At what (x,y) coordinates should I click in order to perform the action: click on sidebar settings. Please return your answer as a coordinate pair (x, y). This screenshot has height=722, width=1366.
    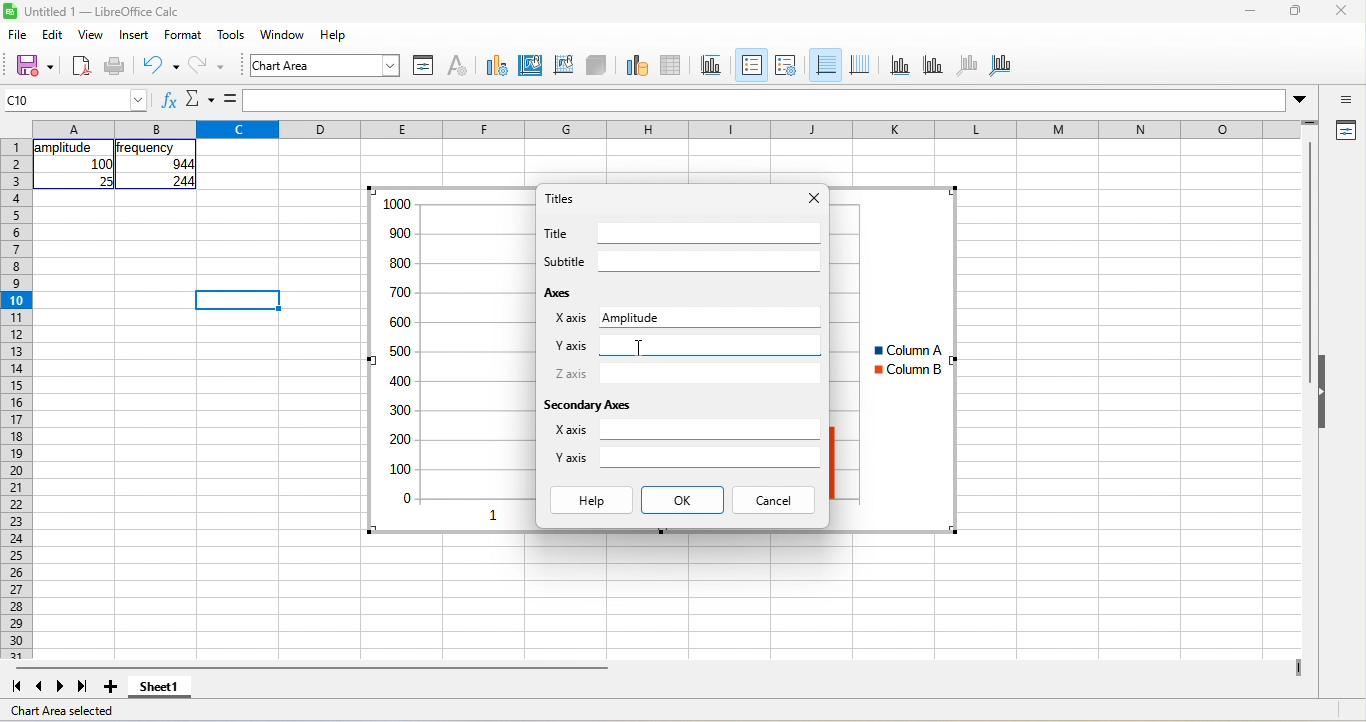
    Looking at the image, I should click on (1344, 99).